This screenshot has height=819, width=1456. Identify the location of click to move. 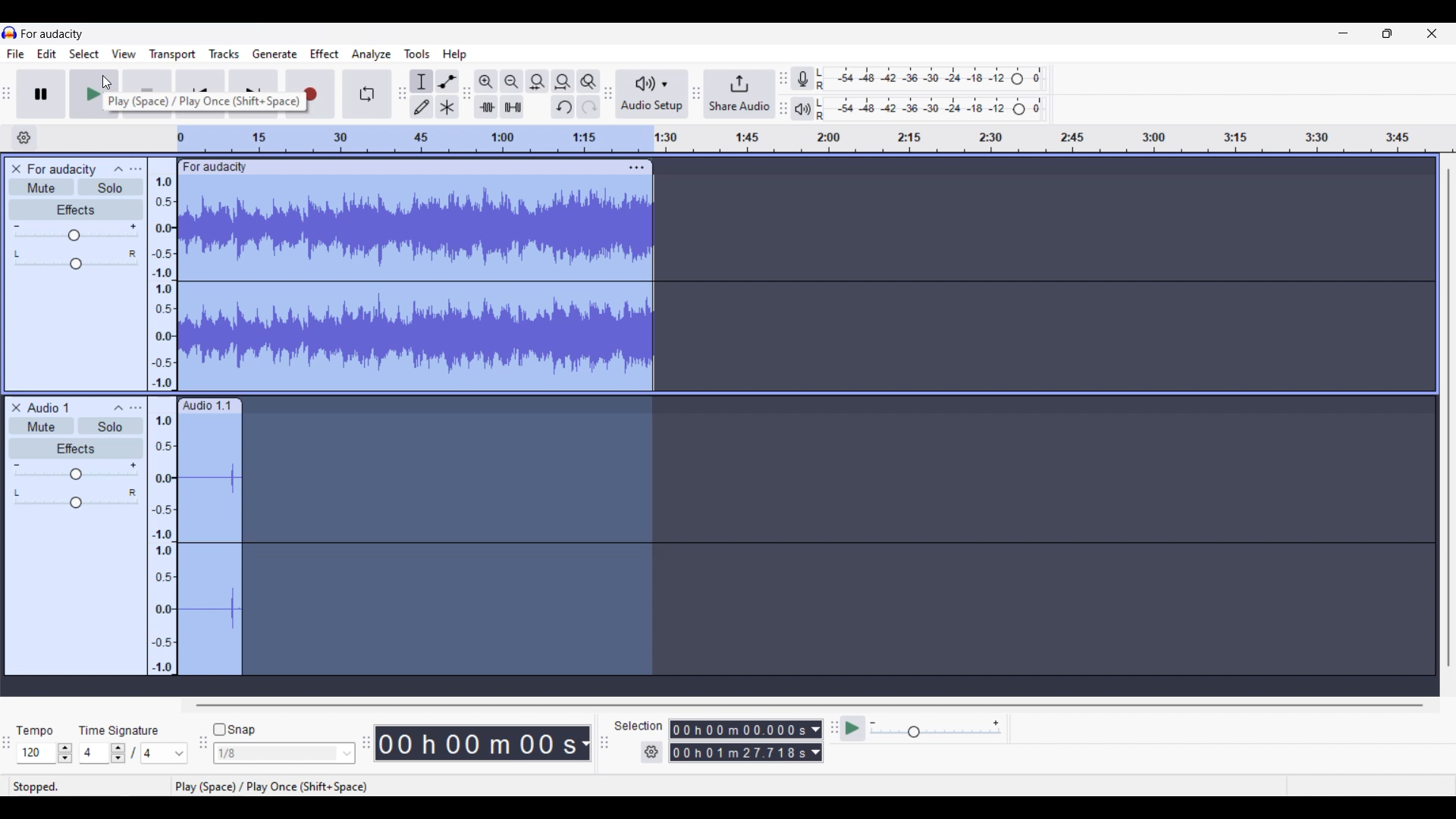
(436, 168).